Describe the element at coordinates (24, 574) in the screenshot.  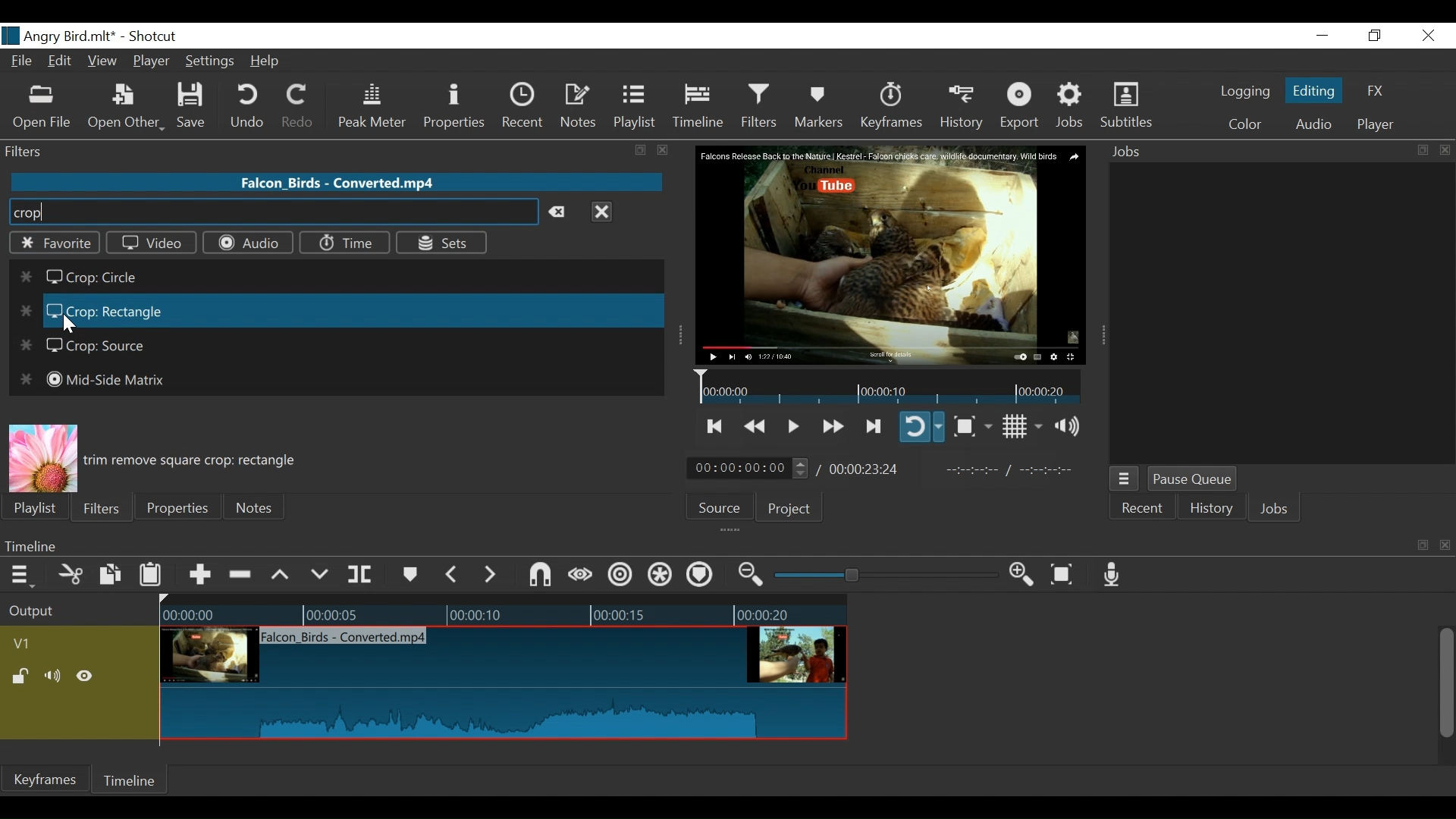
I see `Timeline menu` at that location.